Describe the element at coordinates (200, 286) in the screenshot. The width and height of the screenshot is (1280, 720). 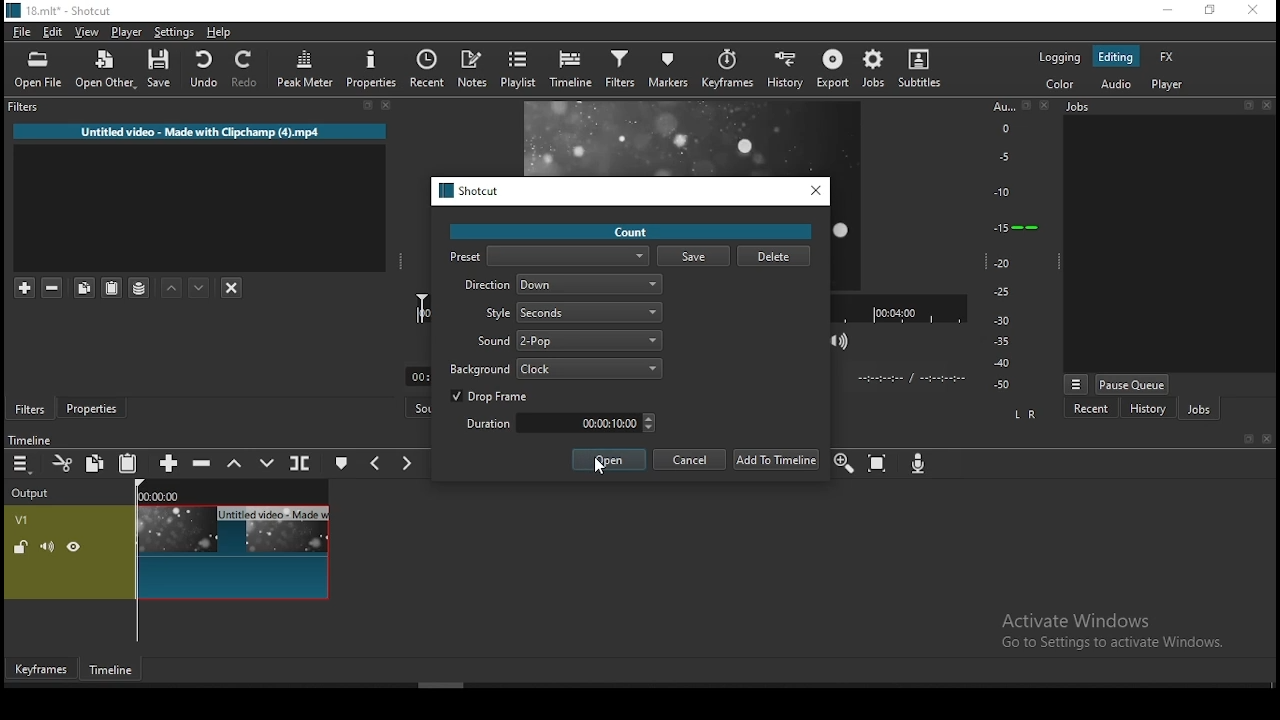
I see `move filter down` at that location.